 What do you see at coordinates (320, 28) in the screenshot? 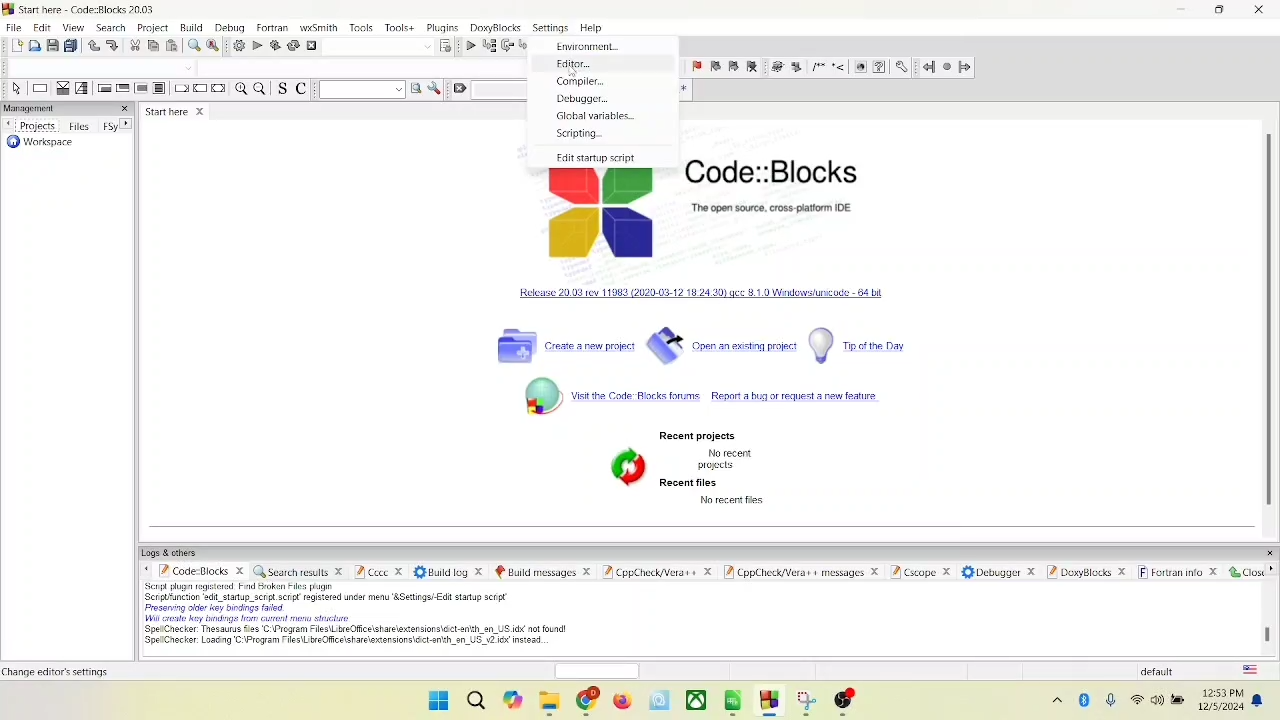
I see `wxSmith` at bounding box center [320, 28].